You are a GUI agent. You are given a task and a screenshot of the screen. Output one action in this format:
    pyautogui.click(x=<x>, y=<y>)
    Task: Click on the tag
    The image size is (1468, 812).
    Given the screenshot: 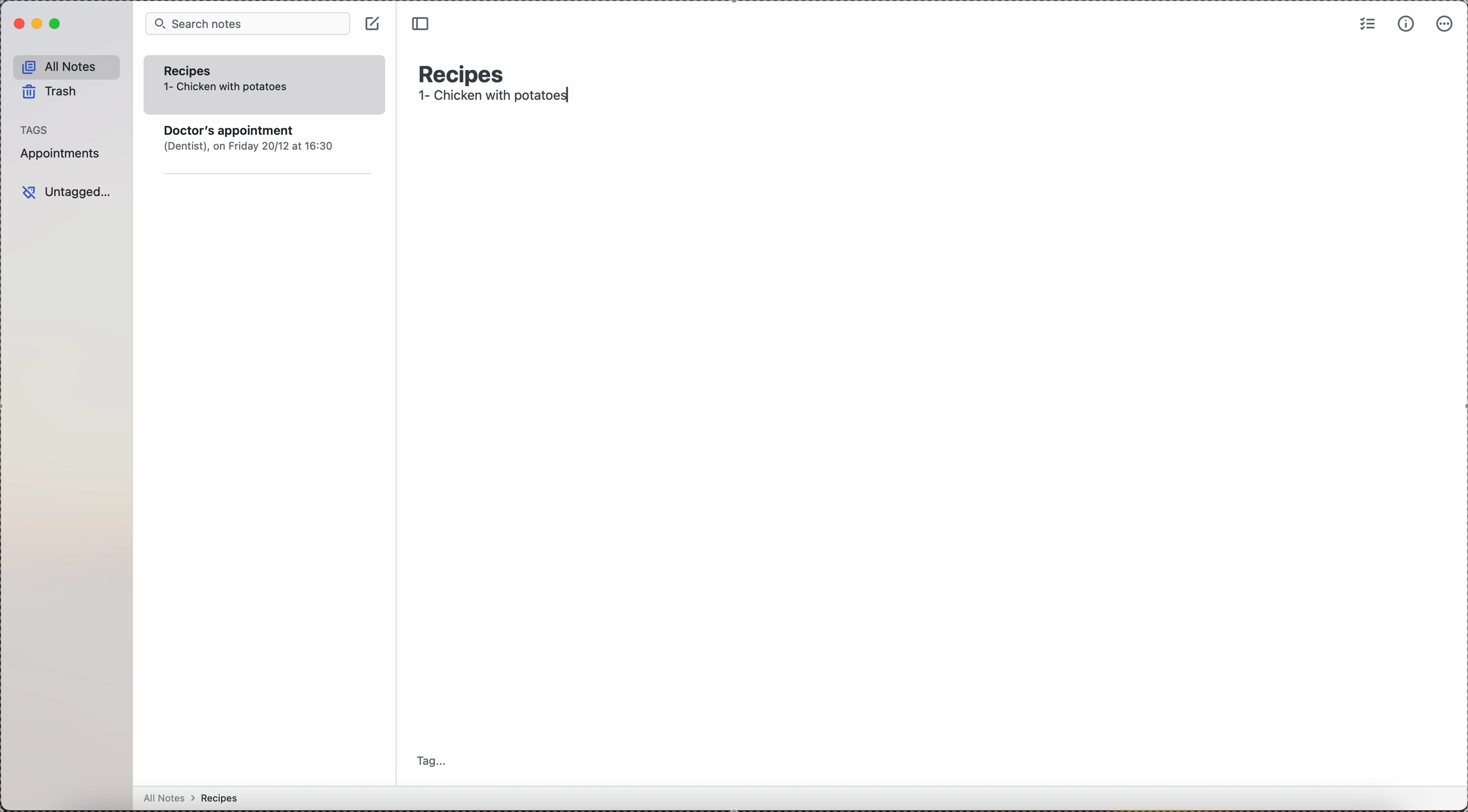 What is the action you would take?
    pyautogui.click(x=437, y=761)
    